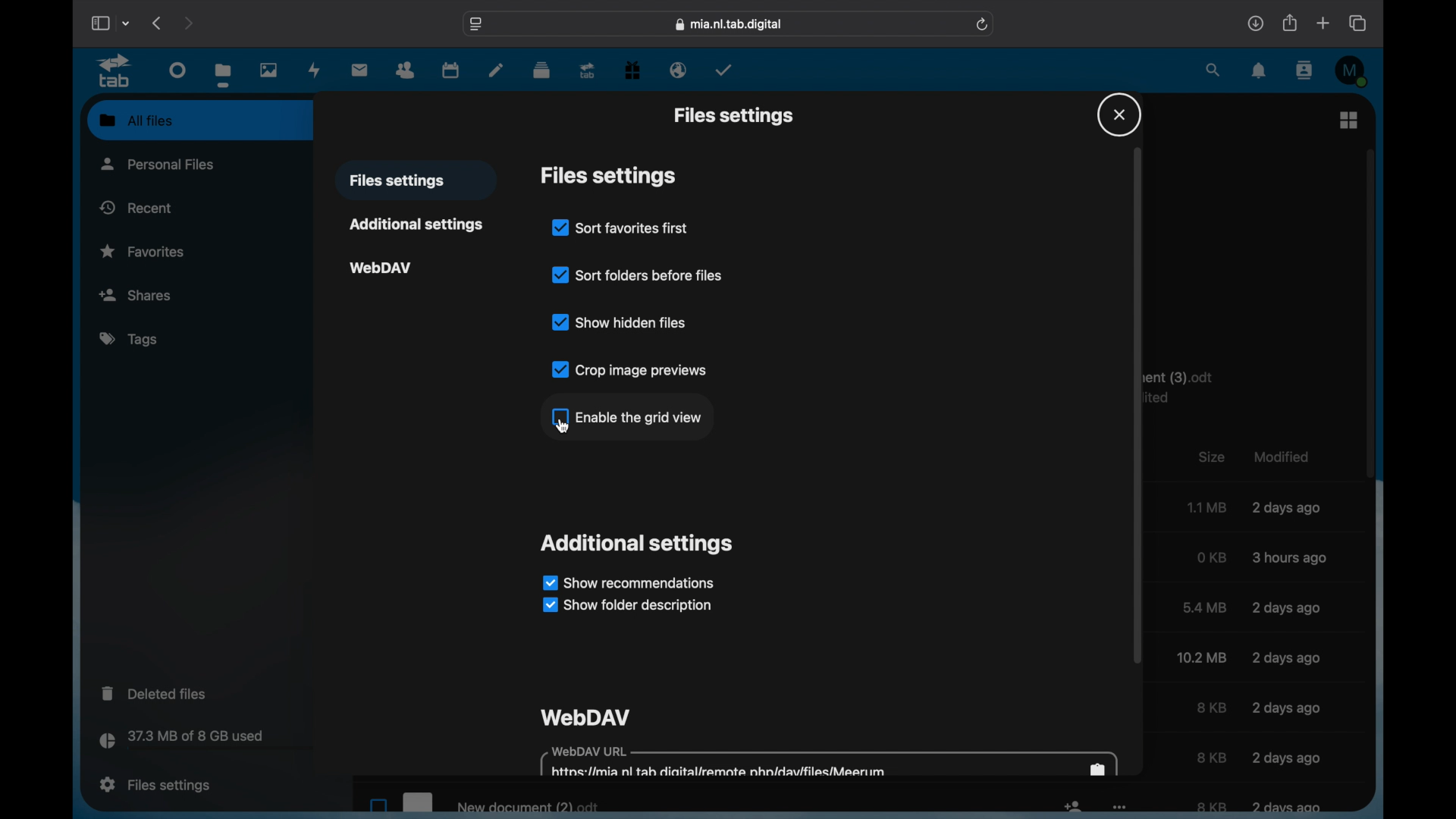 This screenshot has width=1456, height=819. Describe the element at coordinates (136, 207) in the screenshot. I see `recent` at that location.